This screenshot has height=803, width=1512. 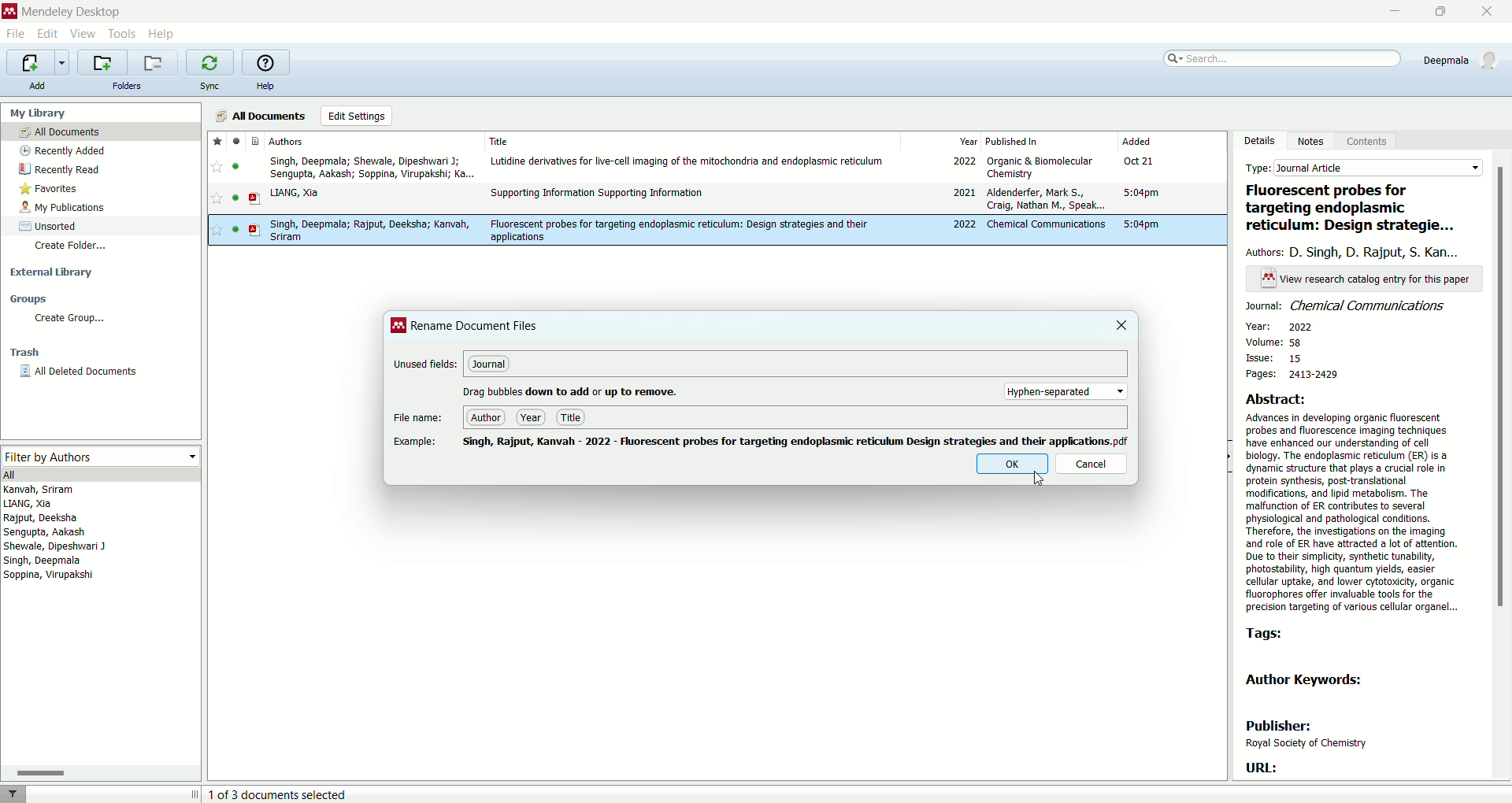 I want to click on document, so click(x=257, y=229).